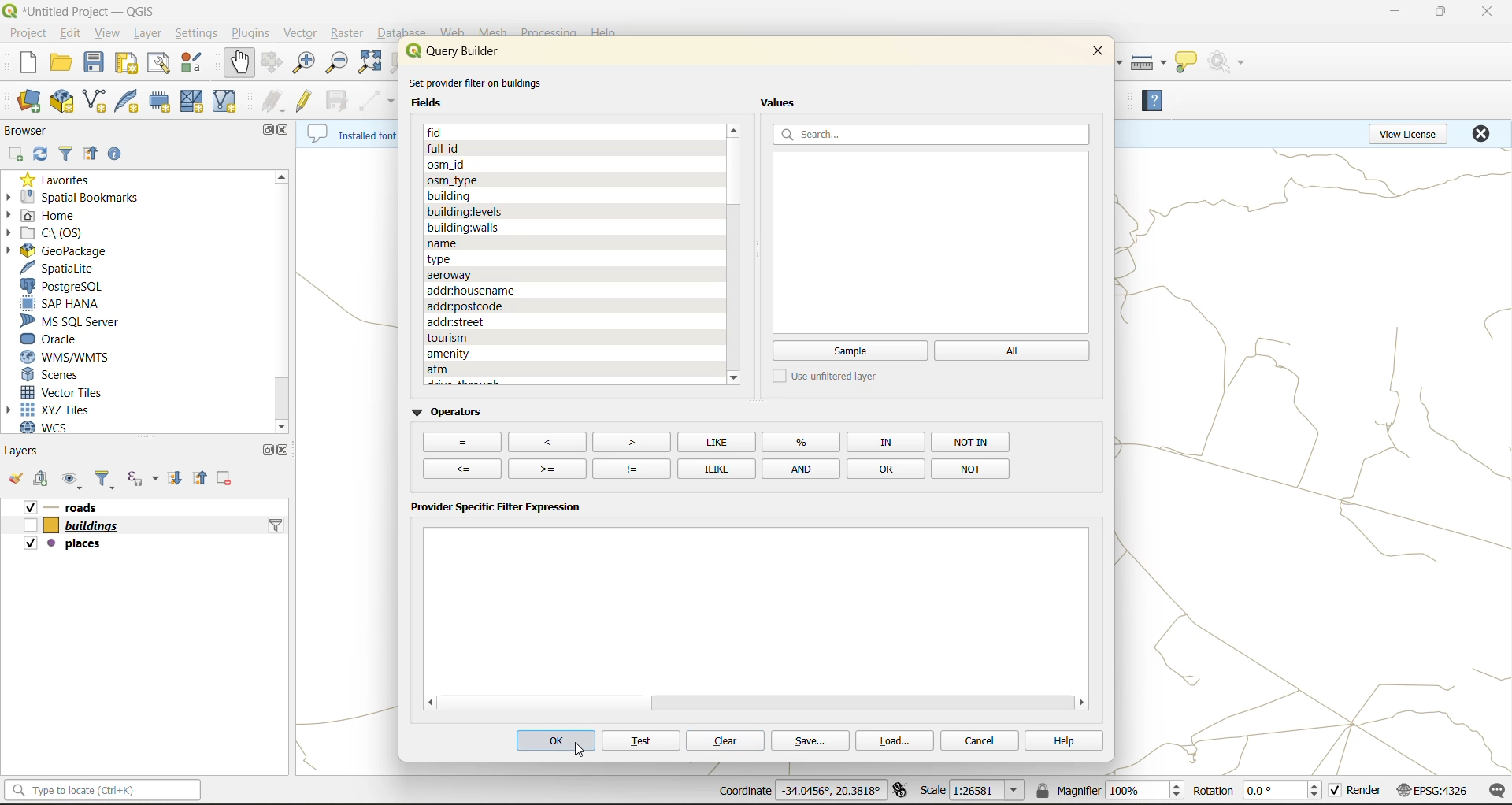  What do you see at coordinates (885, 468) in the screenshot?
I see `opertators` at bounding box center [885, 468].